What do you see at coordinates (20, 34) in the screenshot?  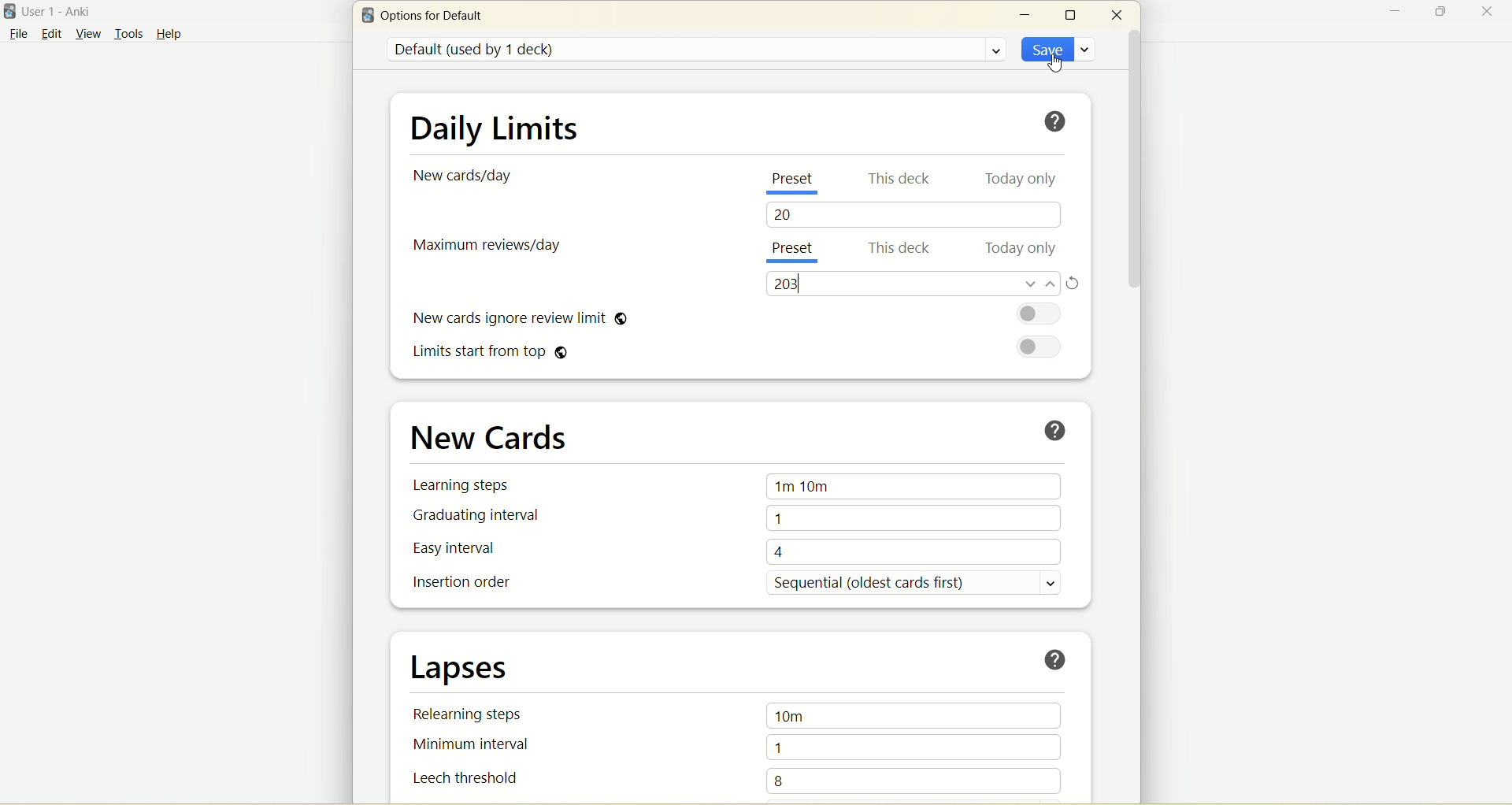 I see `file` at bounding box center [20, 34].